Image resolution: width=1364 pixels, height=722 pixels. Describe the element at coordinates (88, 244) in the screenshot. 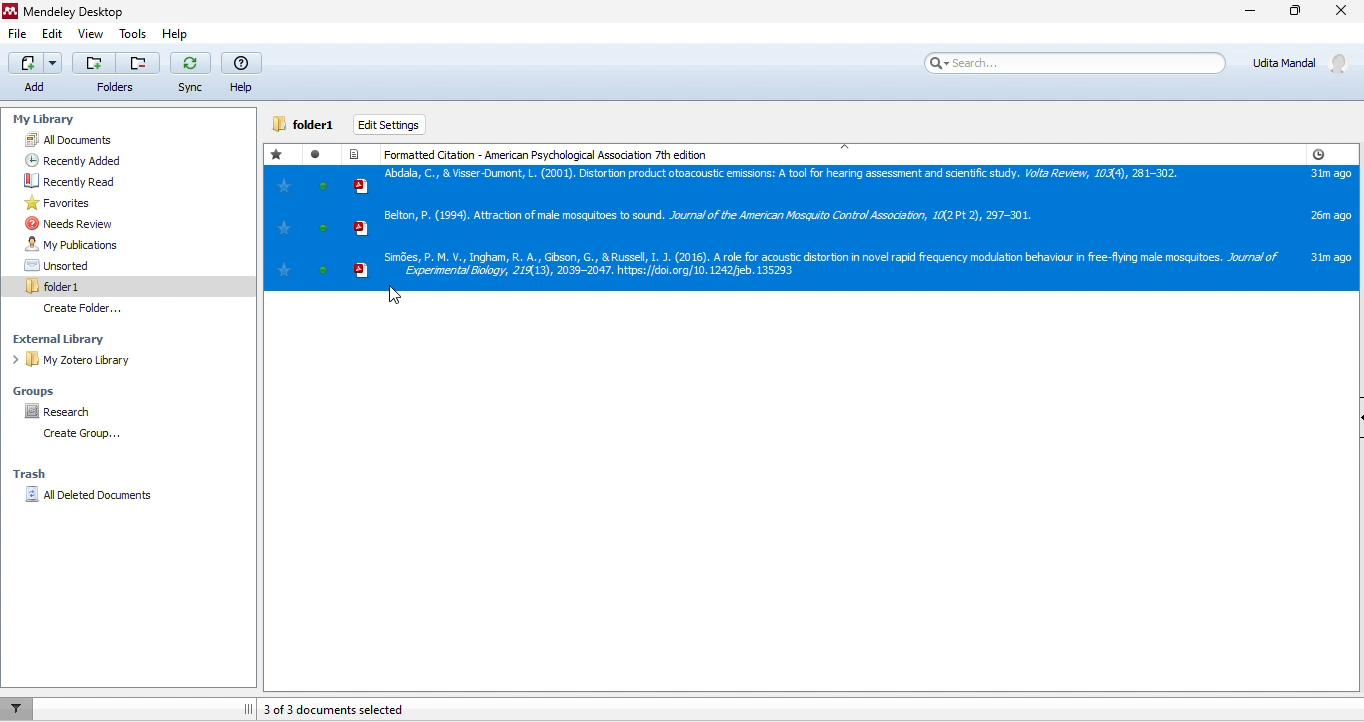

I see `my publications` at that location.